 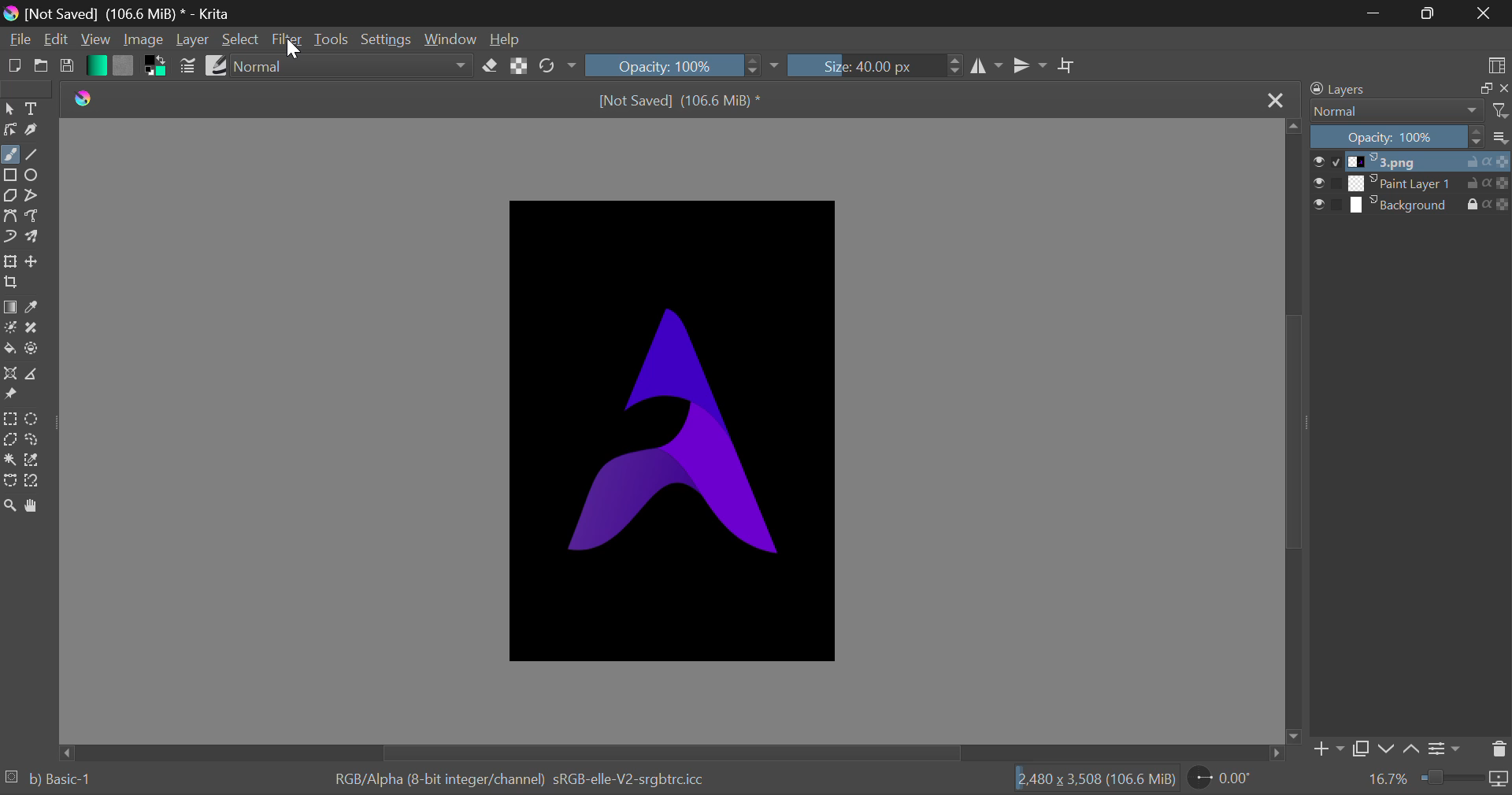 I want to click on Calligraphic Tool, so click(x=33, y=131).